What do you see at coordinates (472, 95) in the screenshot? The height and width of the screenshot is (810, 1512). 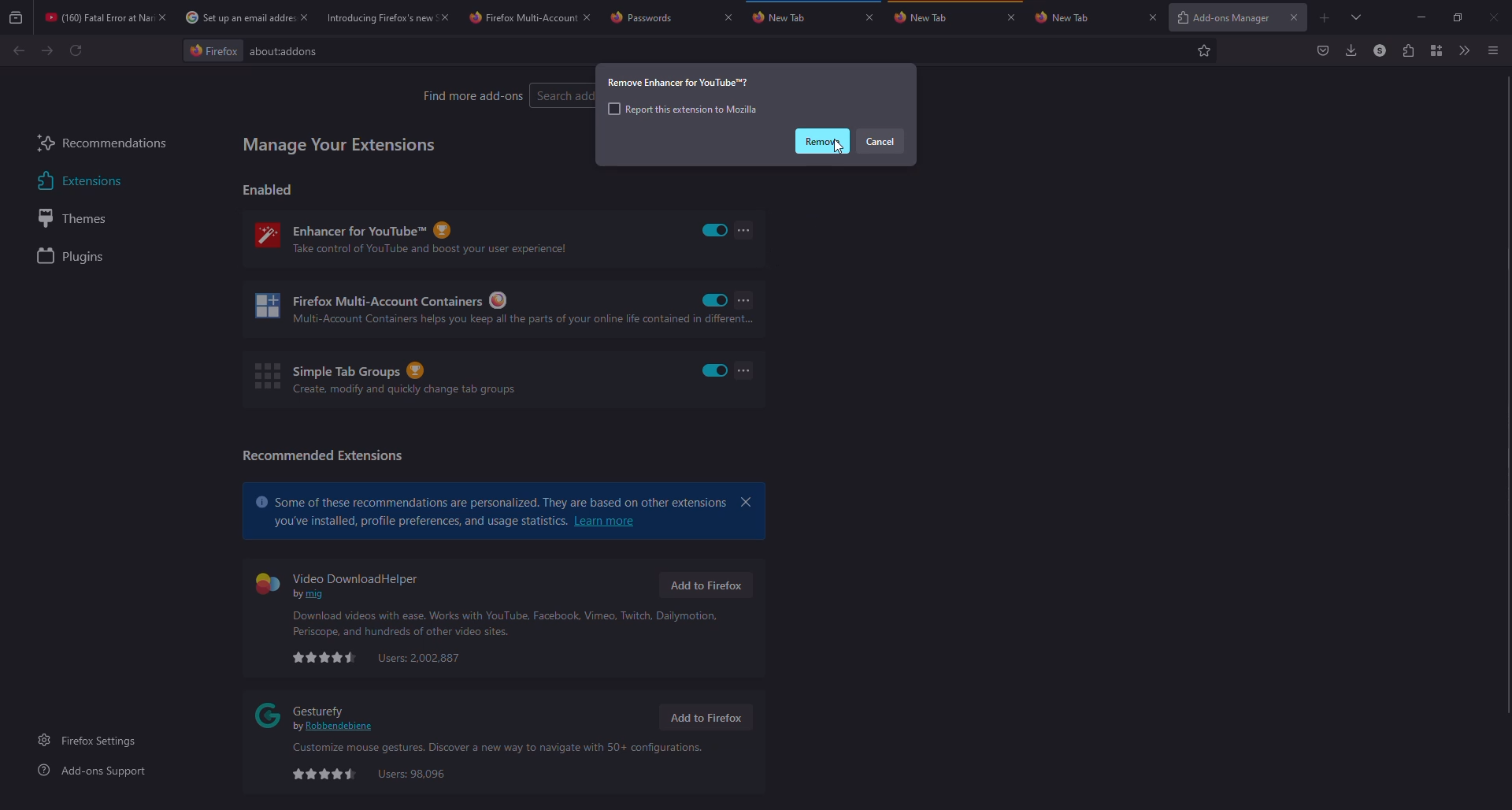 I see `find more` at bounding box center [472, 95].